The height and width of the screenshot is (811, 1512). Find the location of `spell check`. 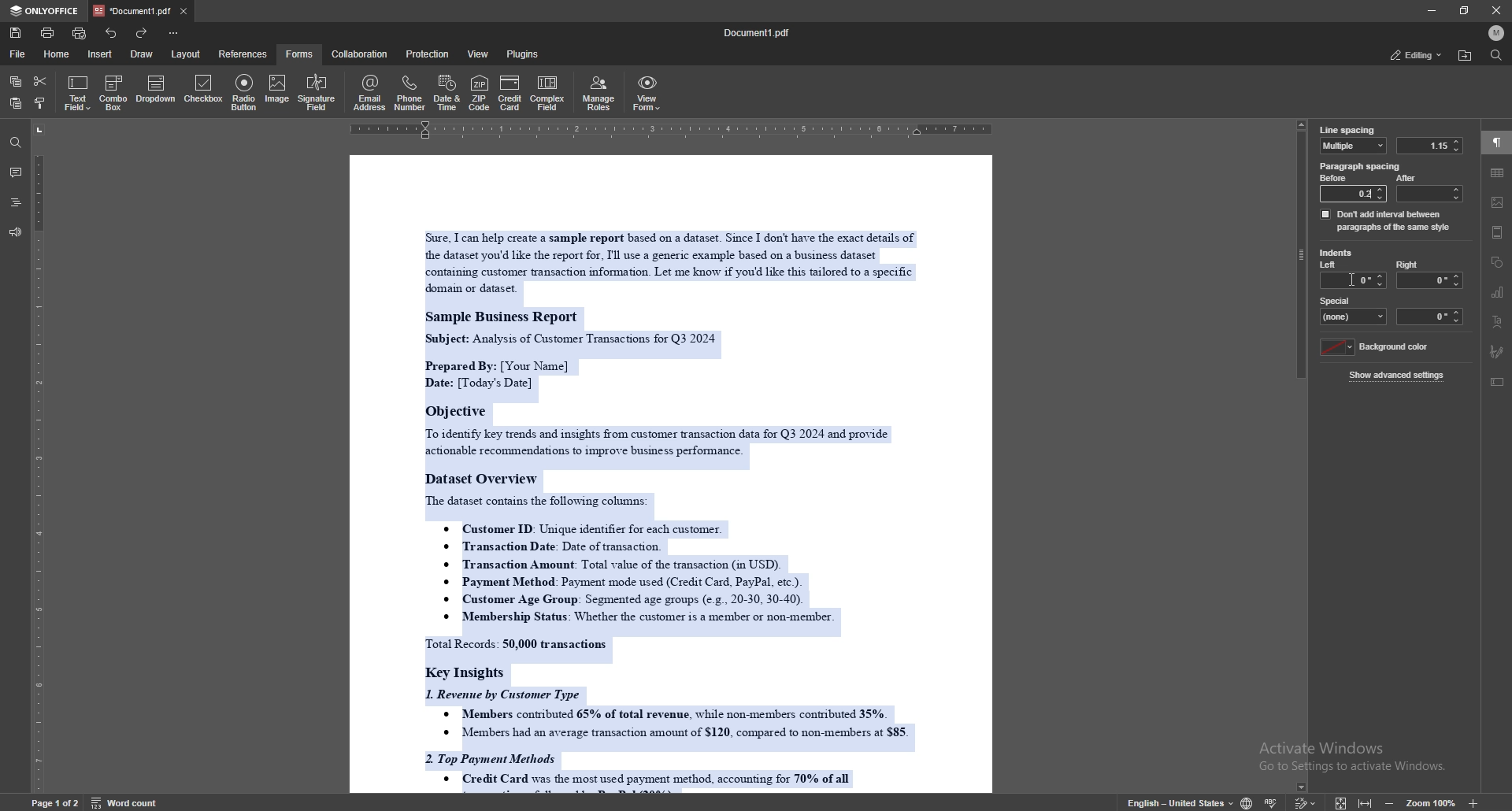

spell check is located at coordinates (1273, 801).